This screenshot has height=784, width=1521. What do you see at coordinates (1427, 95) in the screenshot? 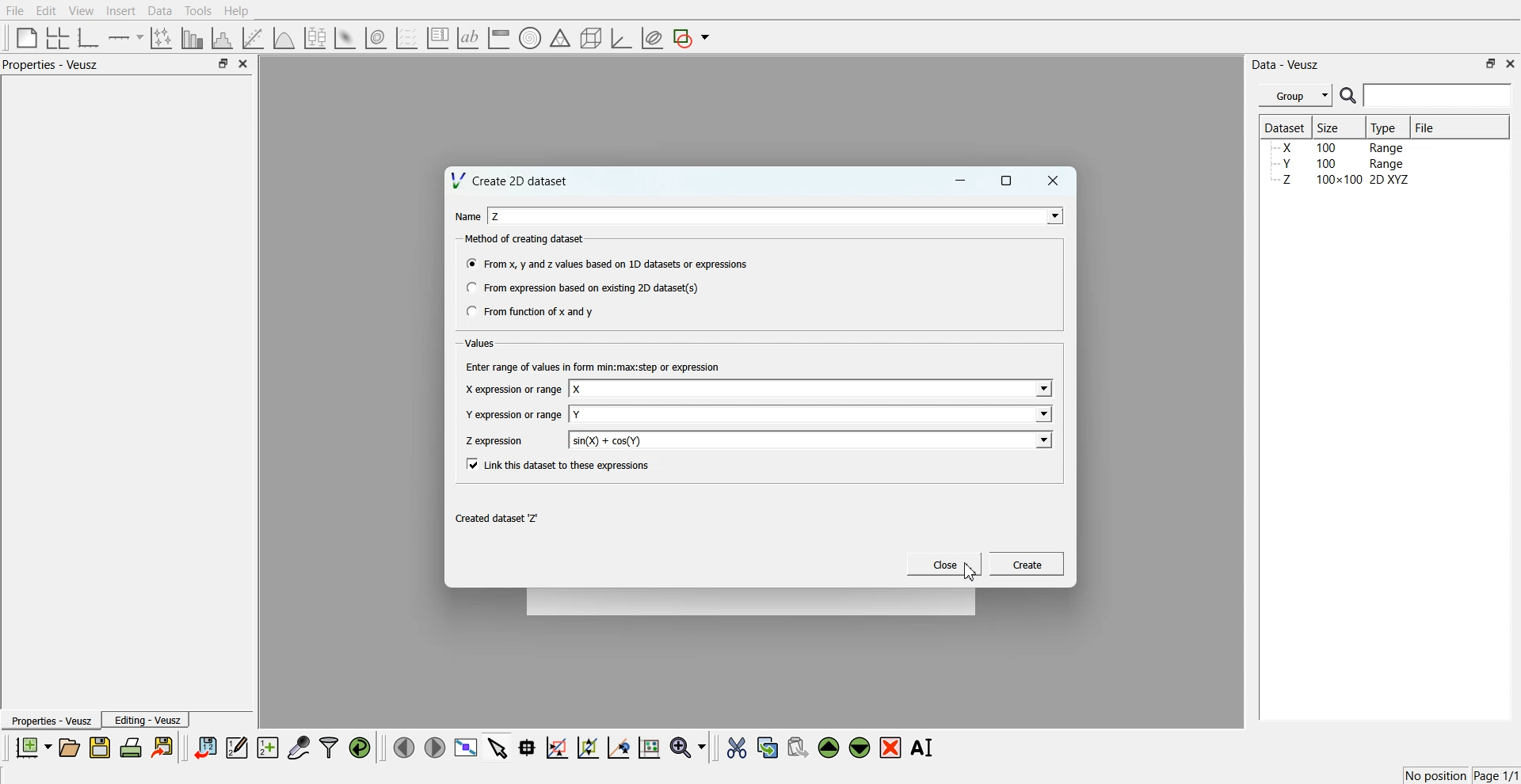
I see `Search Bar` at bounding box center [1427, 95].